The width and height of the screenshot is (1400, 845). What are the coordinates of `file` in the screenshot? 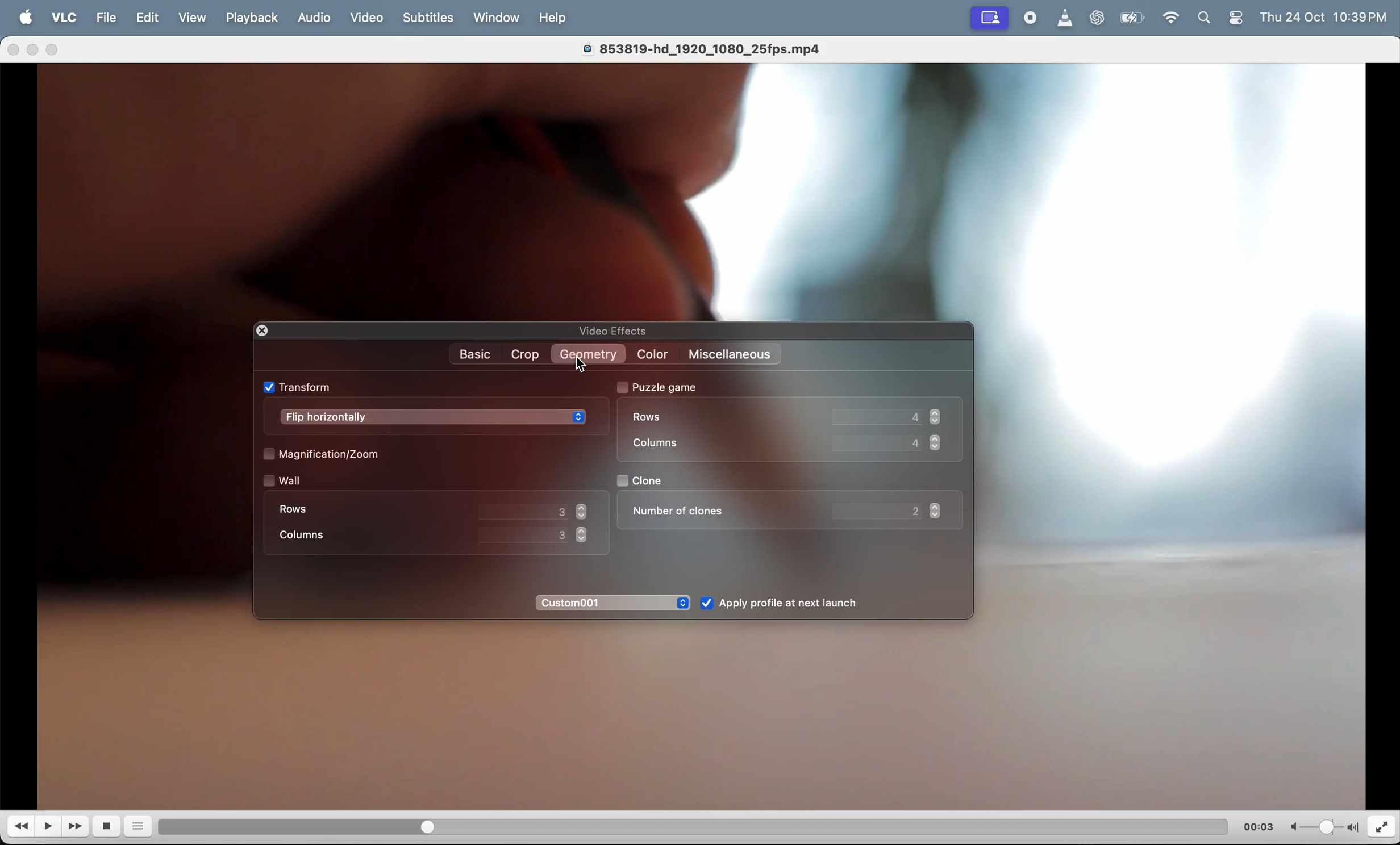 It's located at (106, 18).